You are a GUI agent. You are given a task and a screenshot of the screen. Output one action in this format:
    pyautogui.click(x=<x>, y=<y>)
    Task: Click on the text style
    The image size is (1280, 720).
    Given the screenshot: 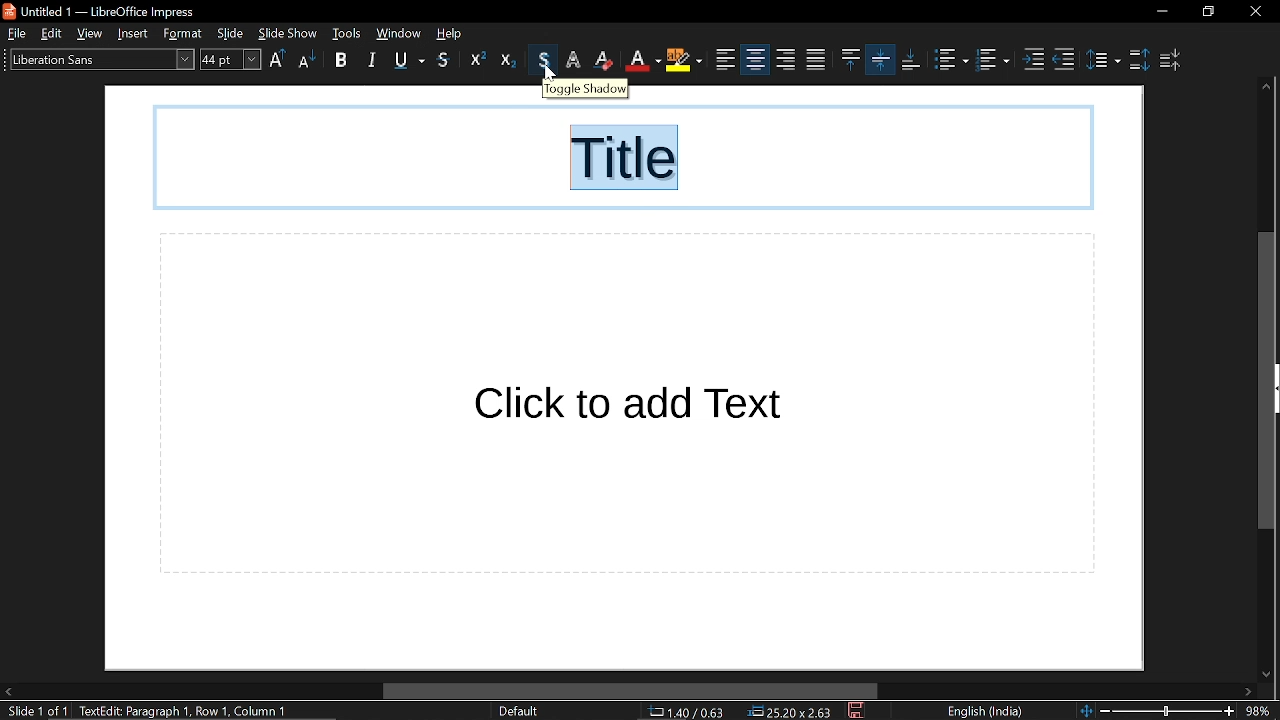 What is the action you would take?
    pyautogui.click(x=96, y=58)
    